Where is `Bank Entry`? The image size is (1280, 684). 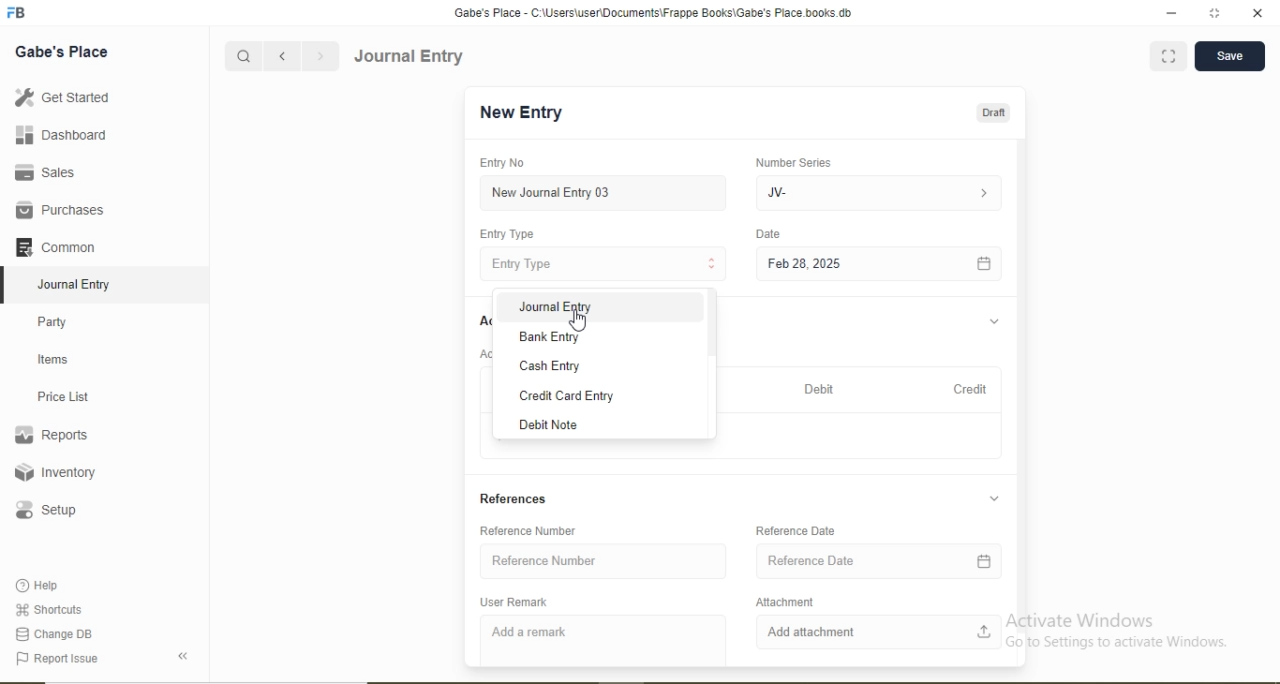 Bank Entry is located at coordinates (549, 338).